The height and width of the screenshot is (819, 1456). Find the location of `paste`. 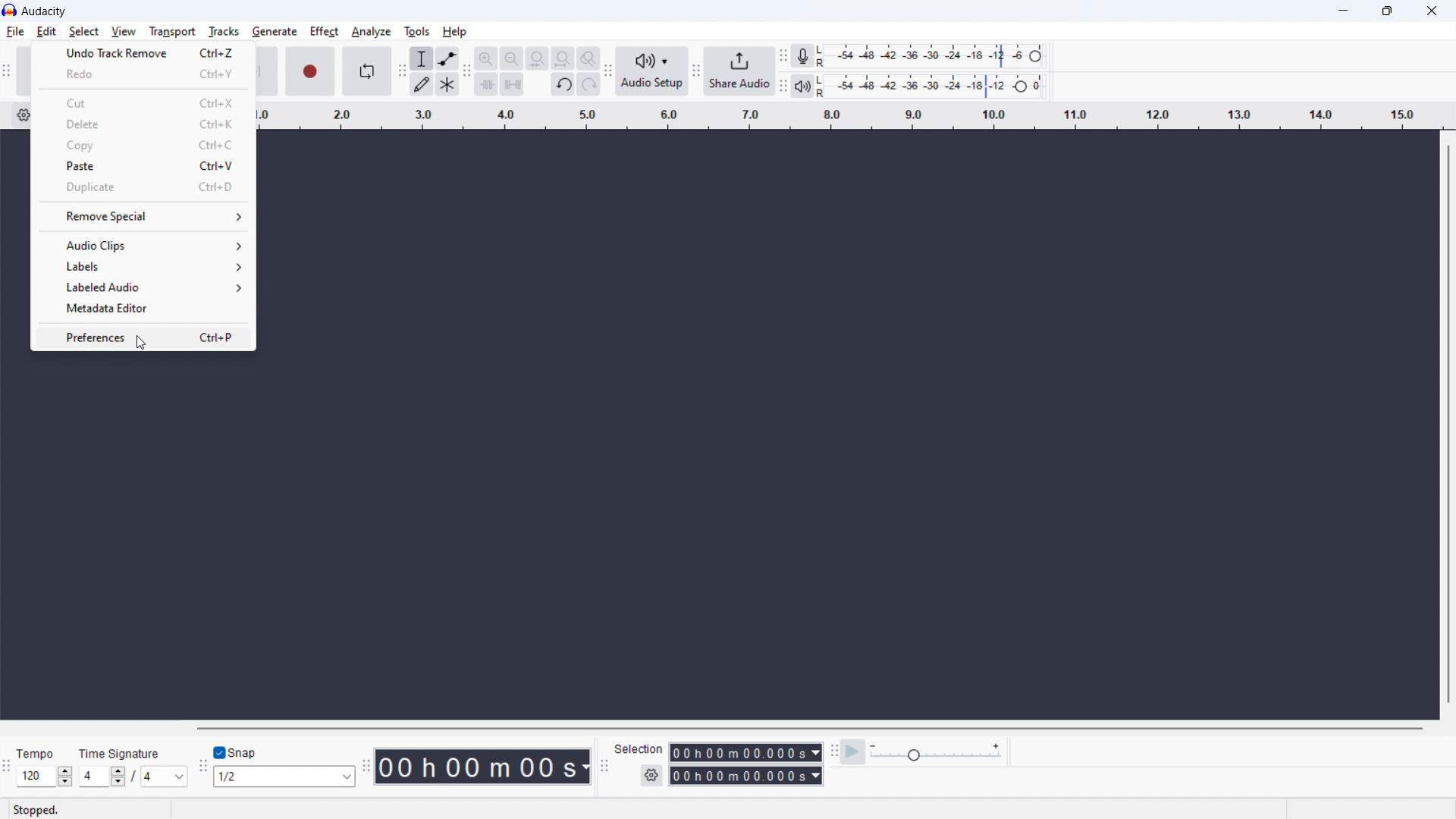

paste is located at coordinates (142, 165).